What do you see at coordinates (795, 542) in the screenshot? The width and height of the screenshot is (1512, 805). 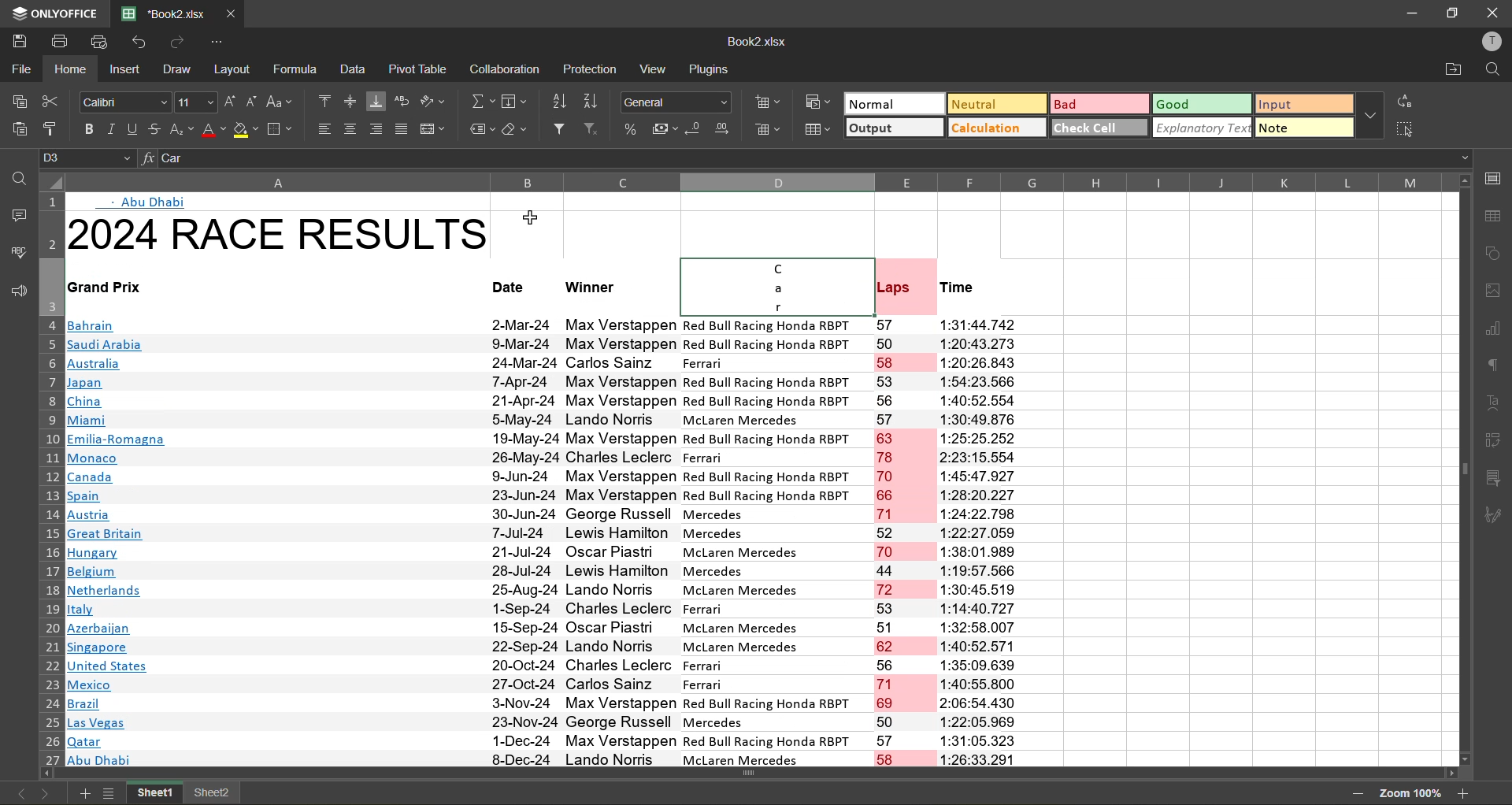 I see `Data` at bounding box center [795, 542].